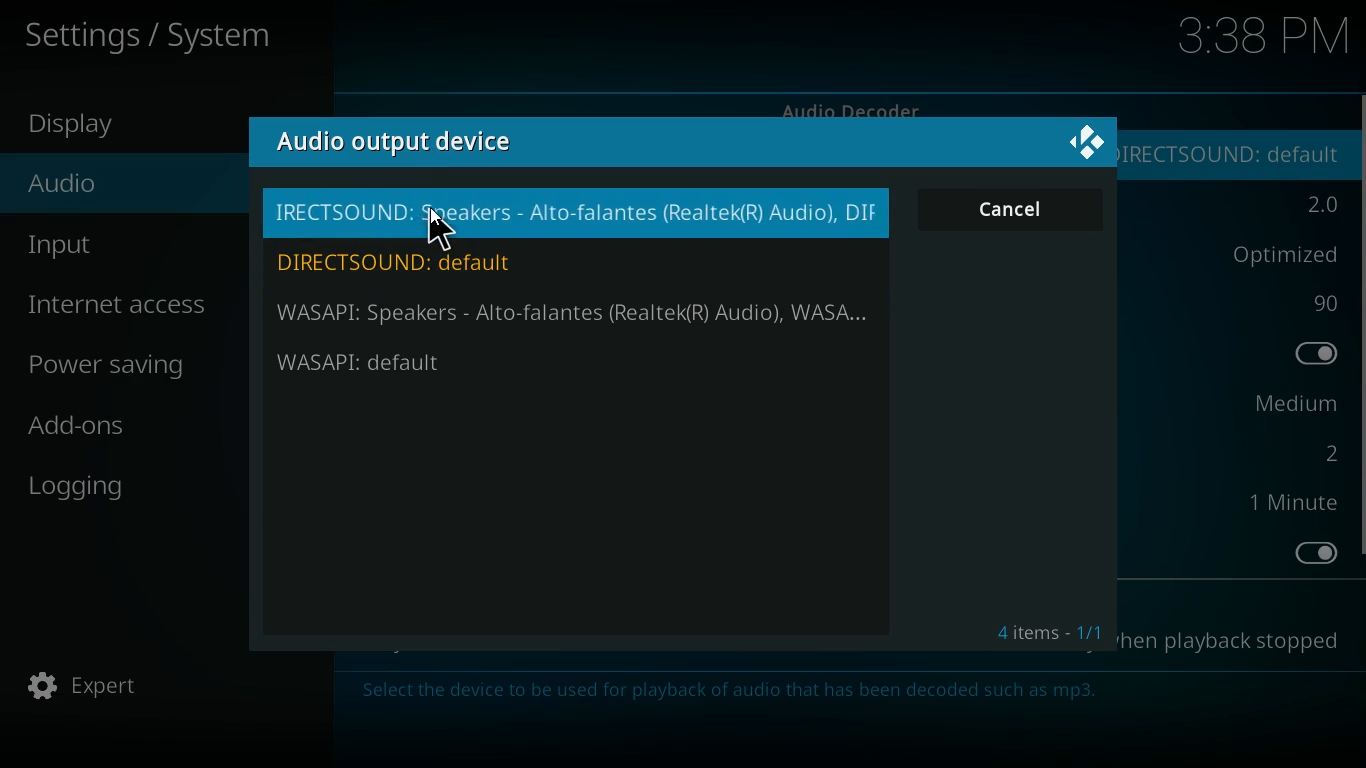 The height and width of the screenshot is (768, 1366). I want to click on logging, so click(136, 482).